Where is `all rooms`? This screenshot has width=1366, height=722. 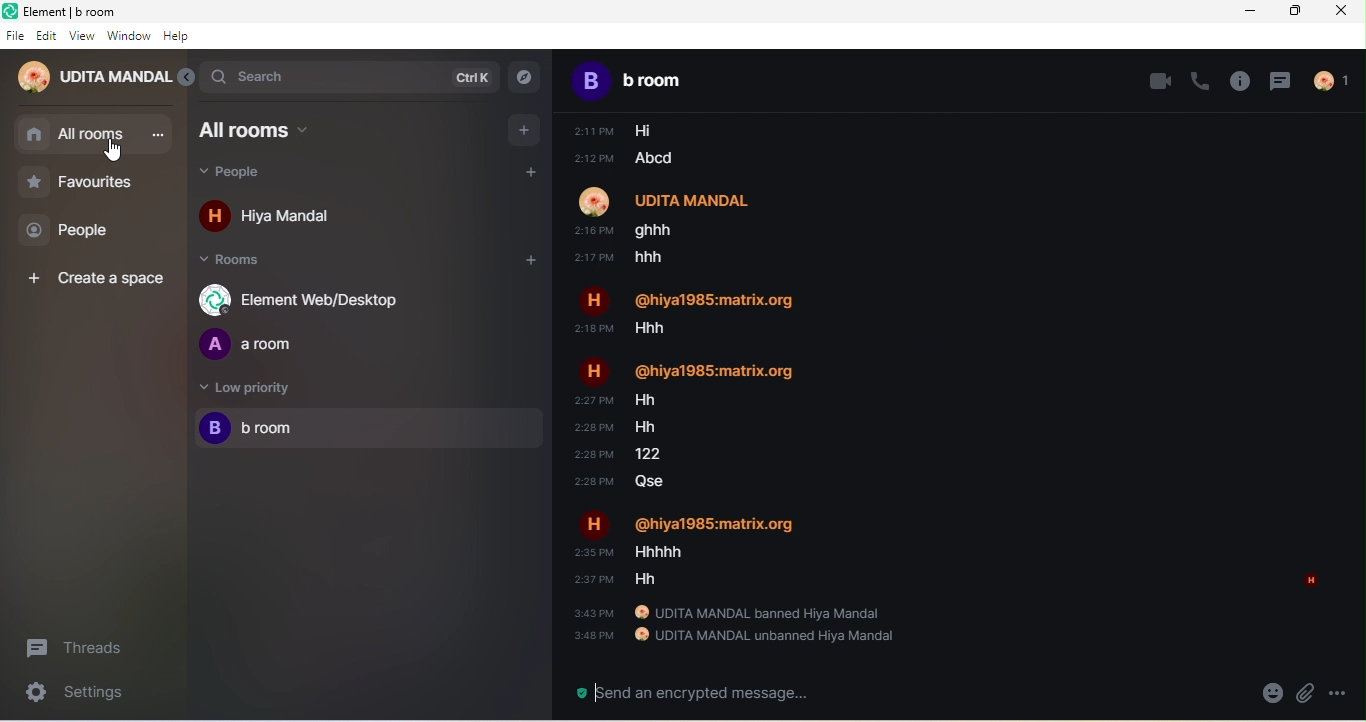 all rooms is located at coordinates (74, 136).